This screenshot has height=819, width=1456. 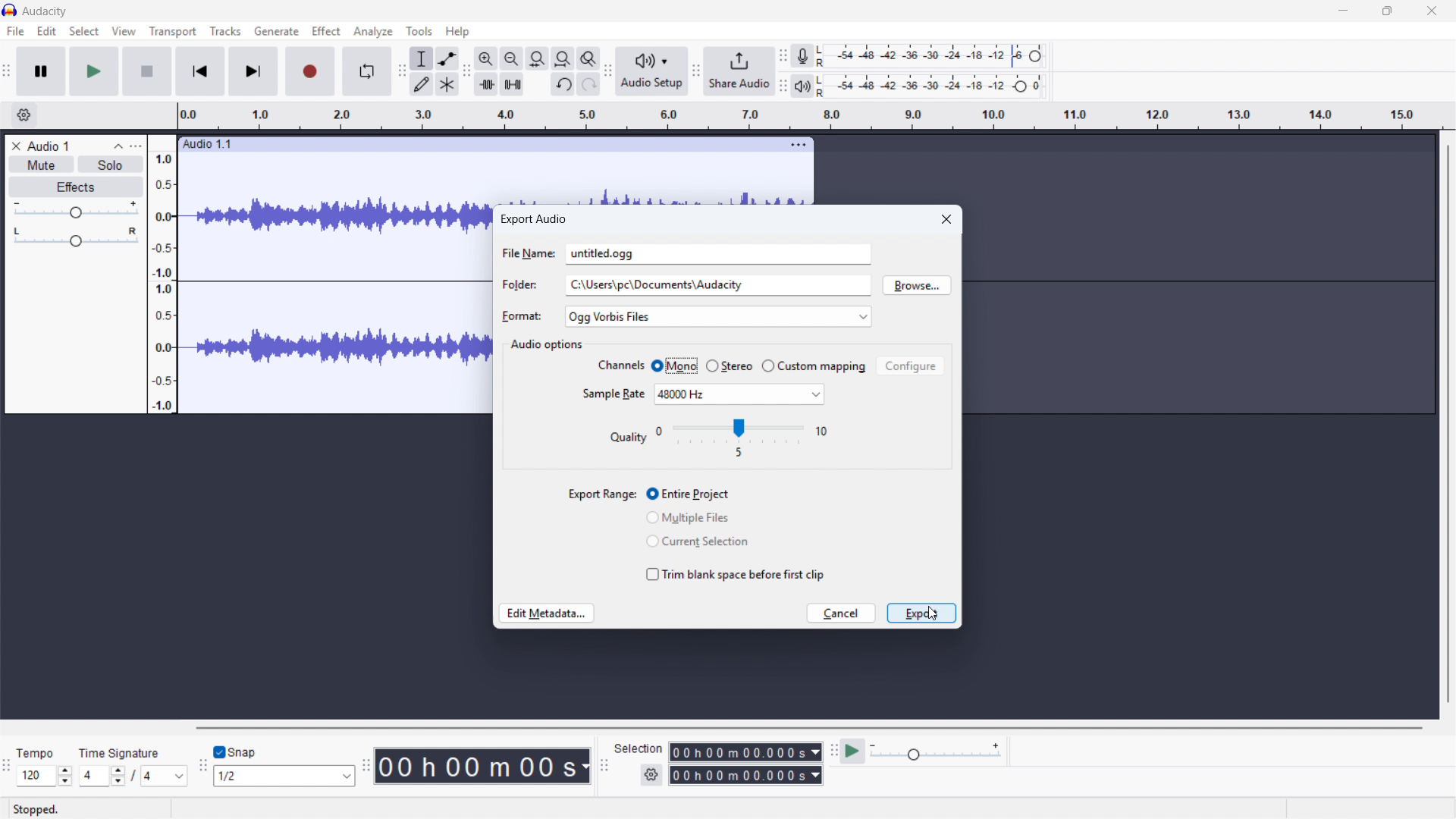 I want to click on Envelope tool , so click(x=447, y=58).